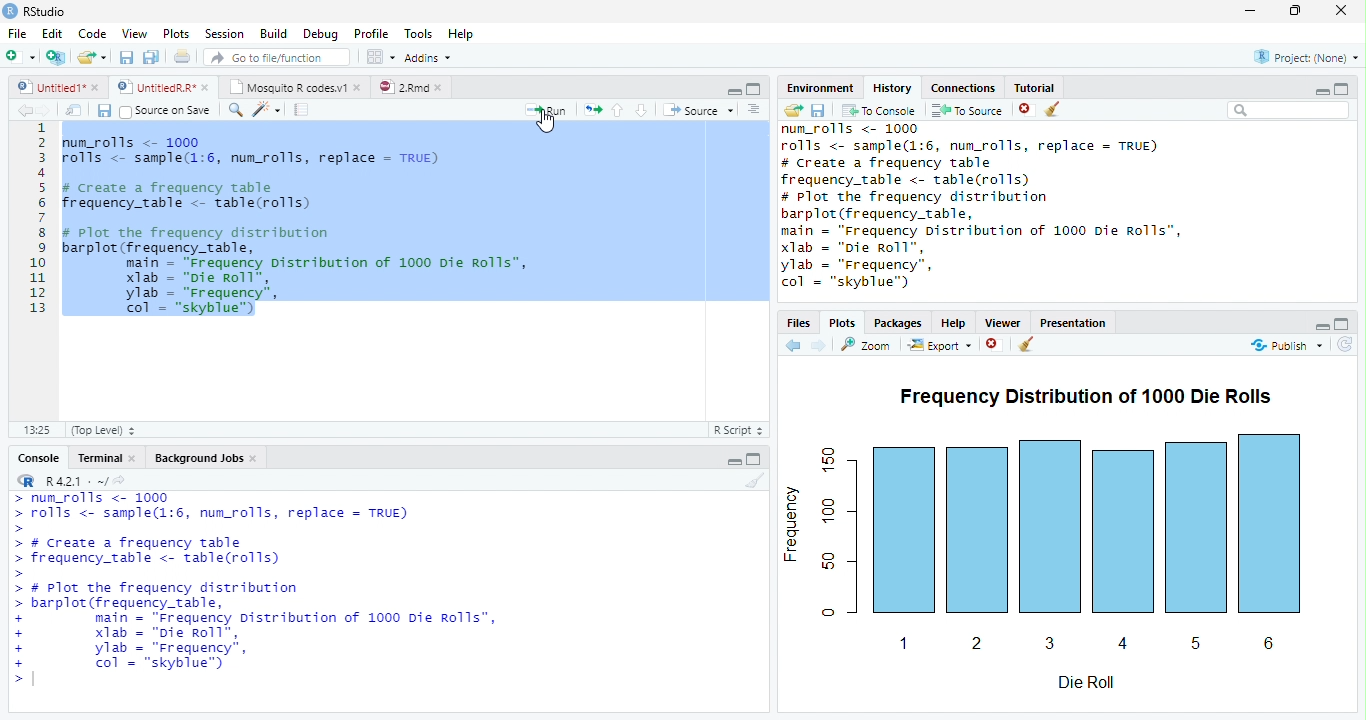 This screenshot has width=1366, height=720. What do you see at coordinates (265, 110) in the screenshot?
I see `Code Tools` at bounding box center [265, 110].